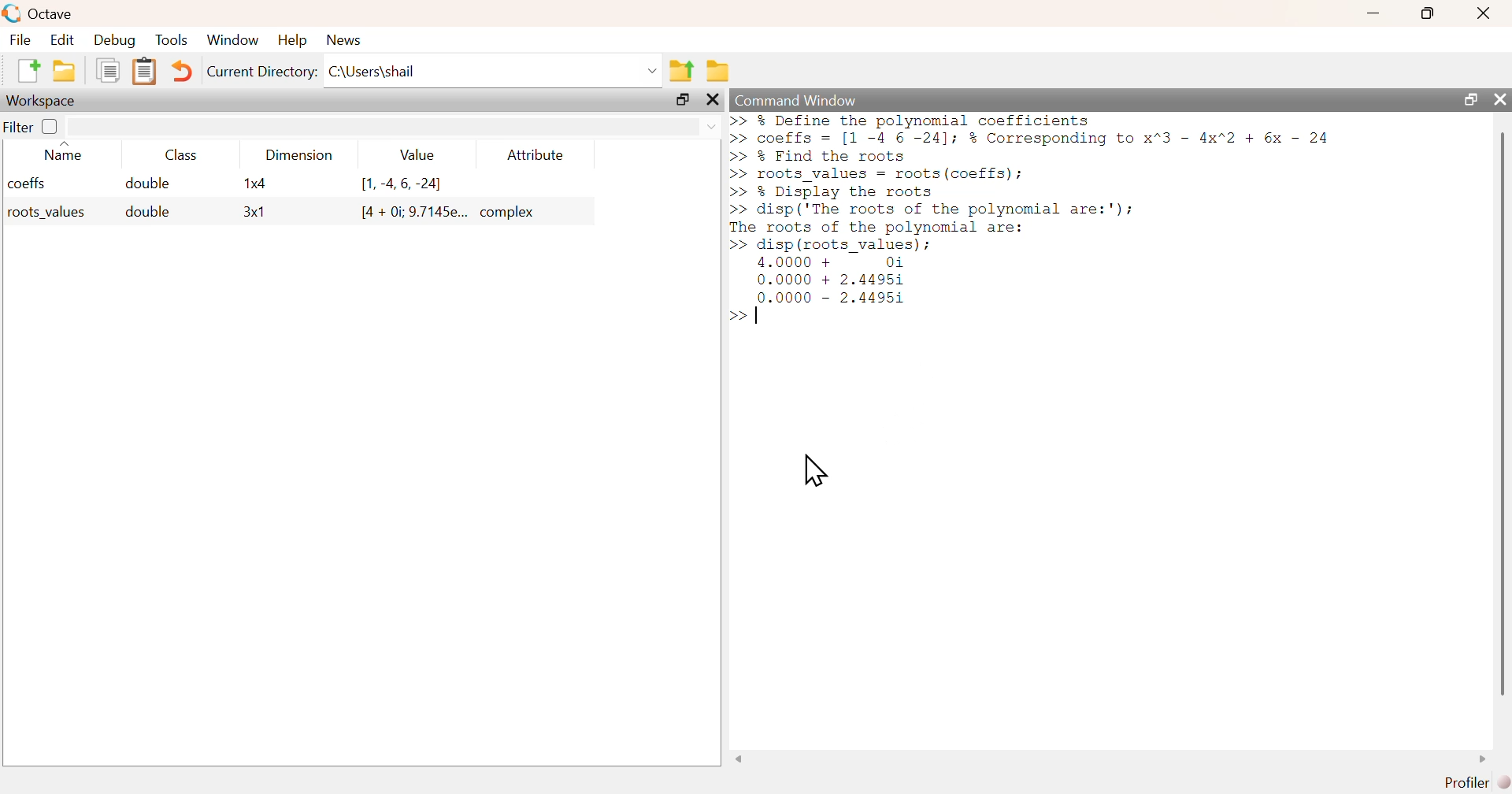  What do you see at coordinates (710, 127) in the screenshot?
I see `dropdown` at bounding box center [710, 127].